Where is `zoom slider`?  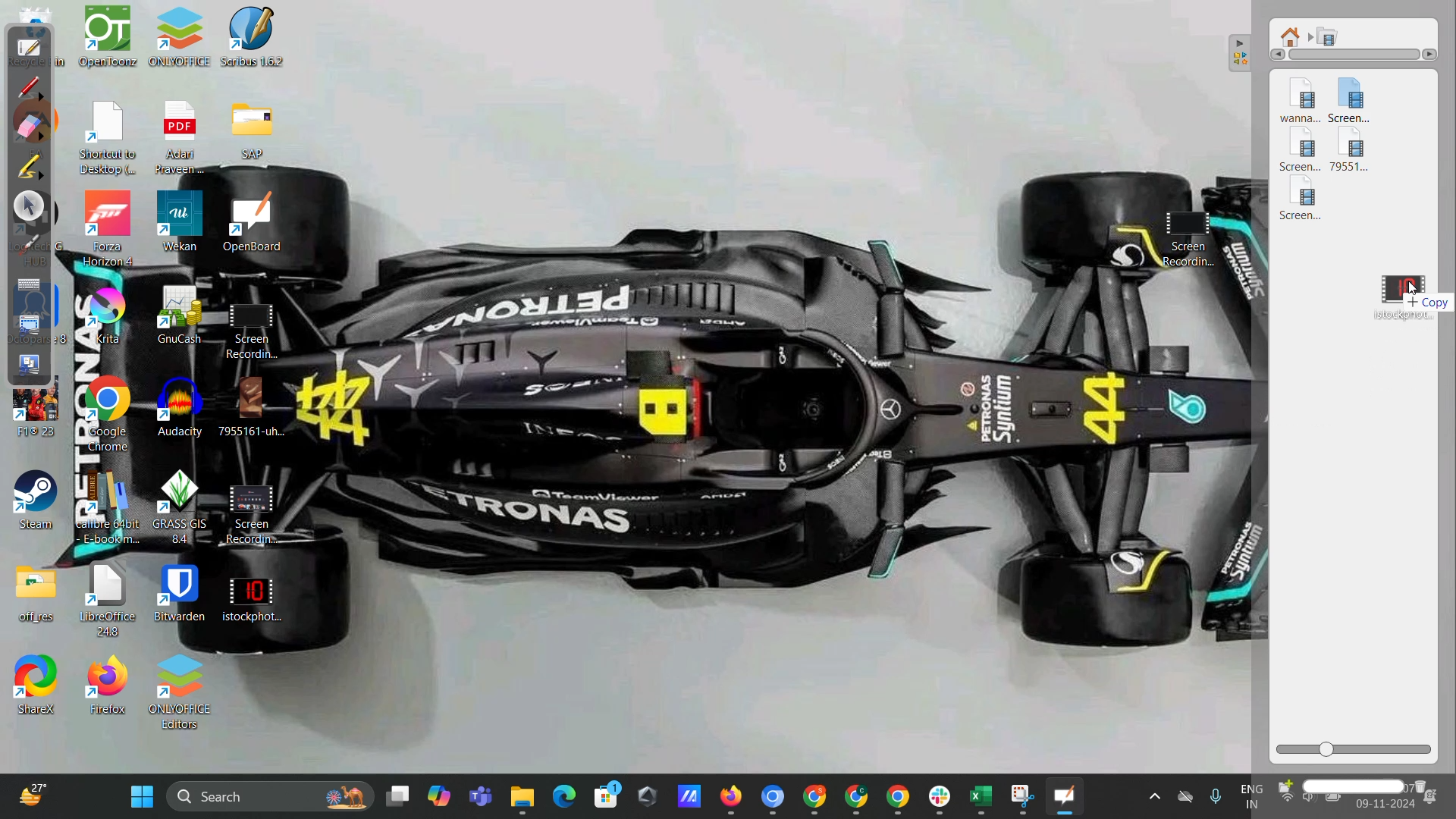
zoom slider is located at coordinates (1356, 749).